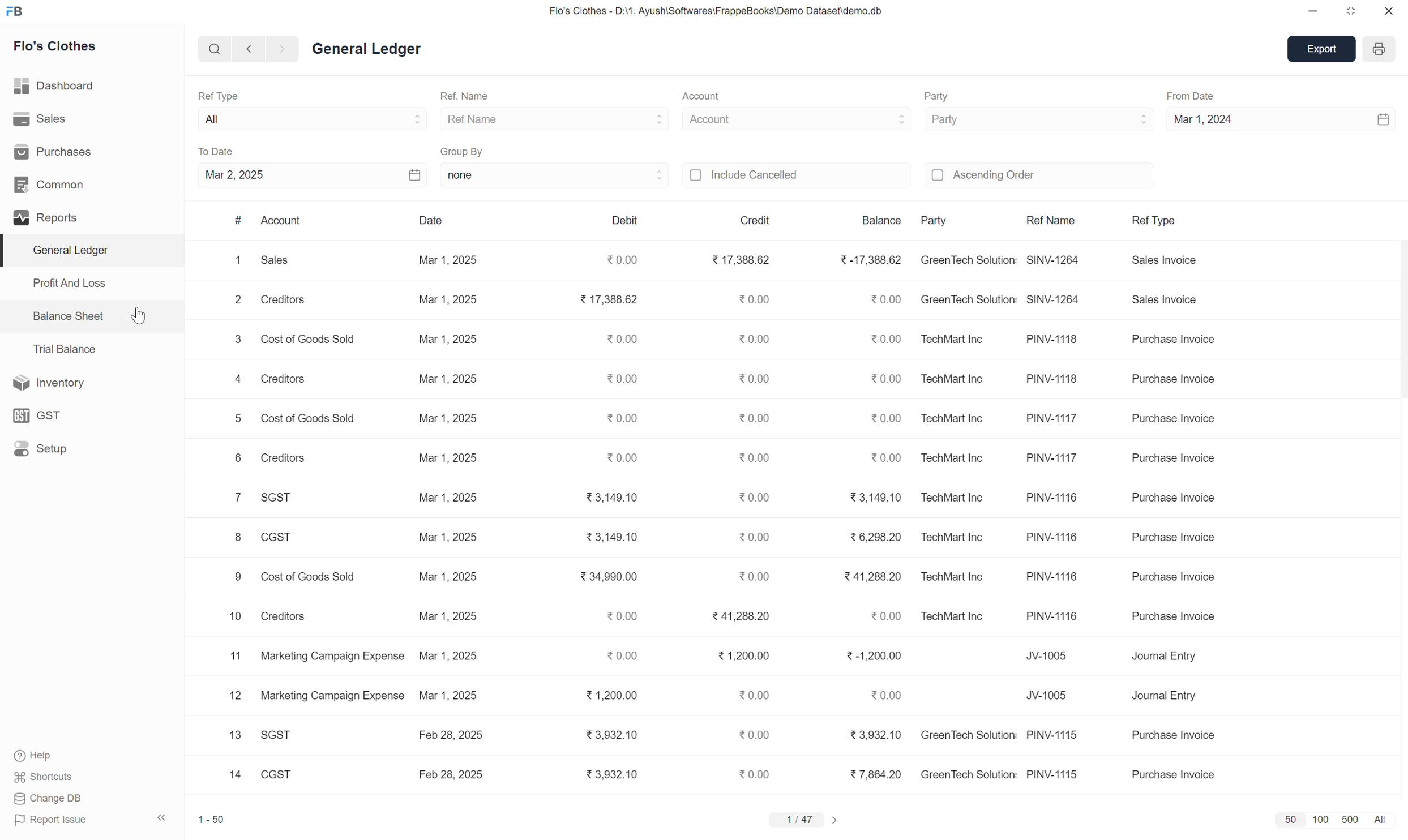 The width and height of the screenshot is (1408, 840). I want to click on purchase invoice, so click(1176, 456).